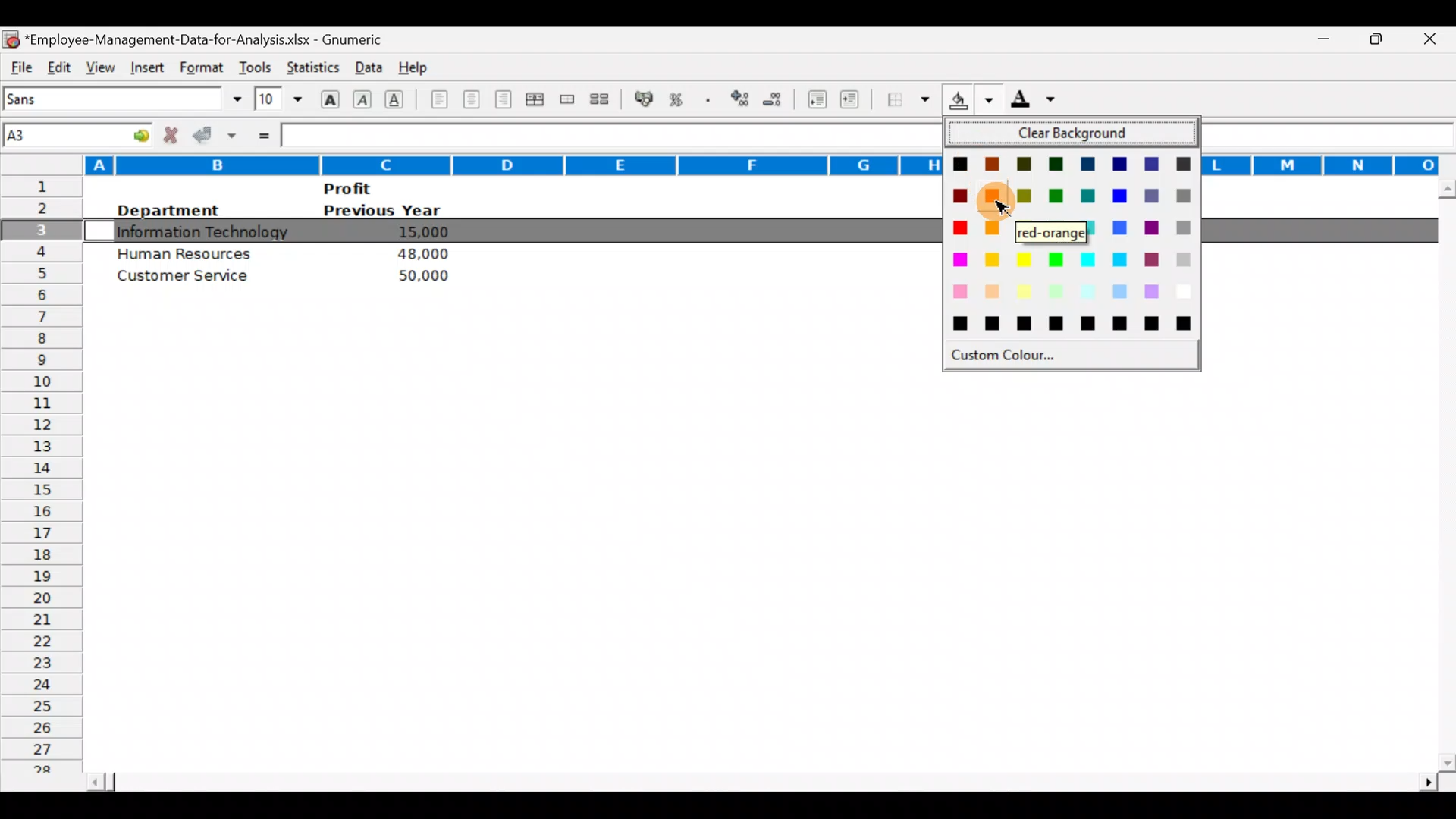 Image resolution: width=1456 pixels, height=819 pixels. What do you see at coordinates (376, 188) in the screenshot?
I see `Profit` at bounding box center [376, 188].